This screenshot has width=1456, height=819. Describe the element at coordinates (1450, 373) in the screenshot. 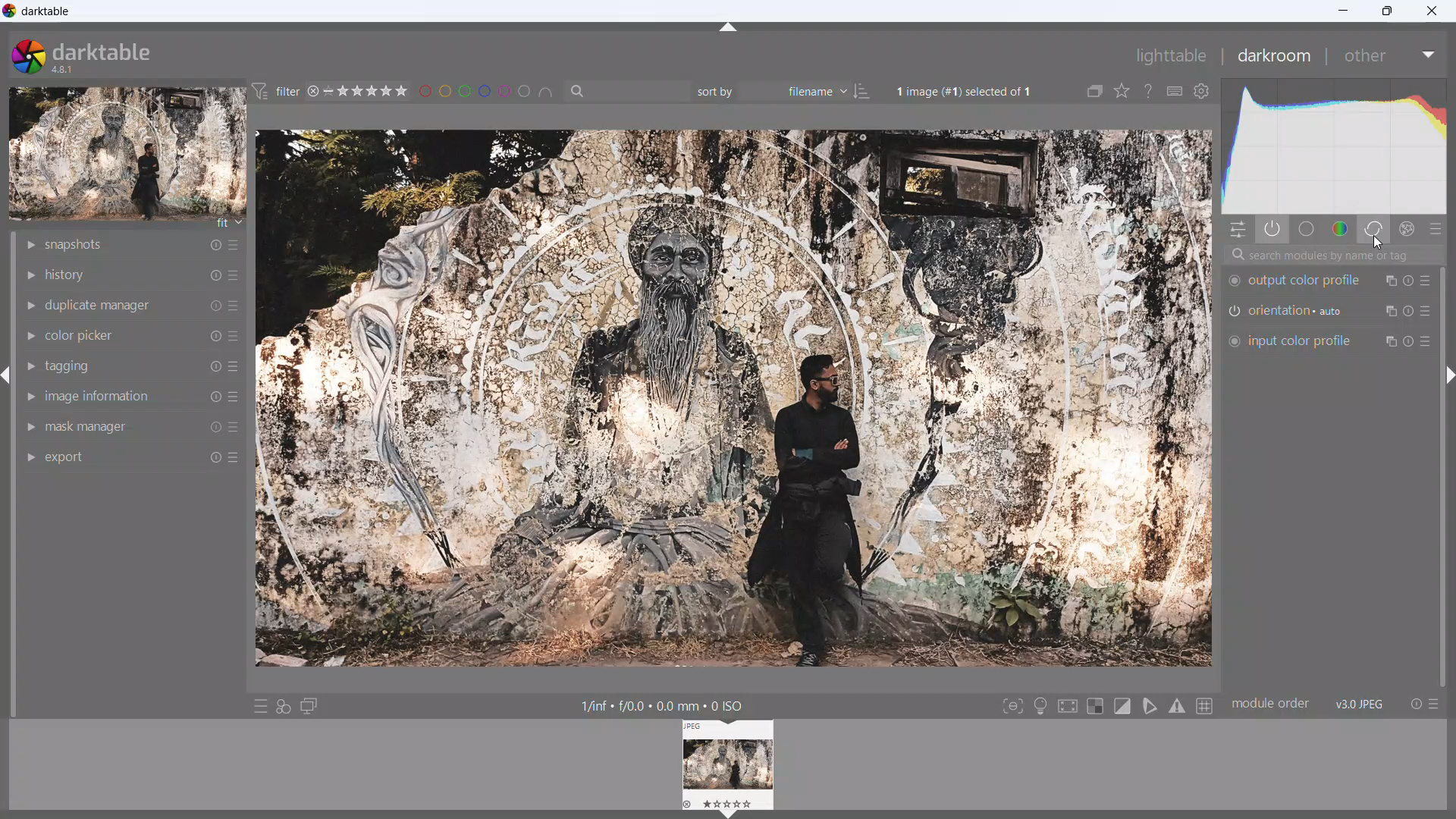

I see `hide panel` at that location.